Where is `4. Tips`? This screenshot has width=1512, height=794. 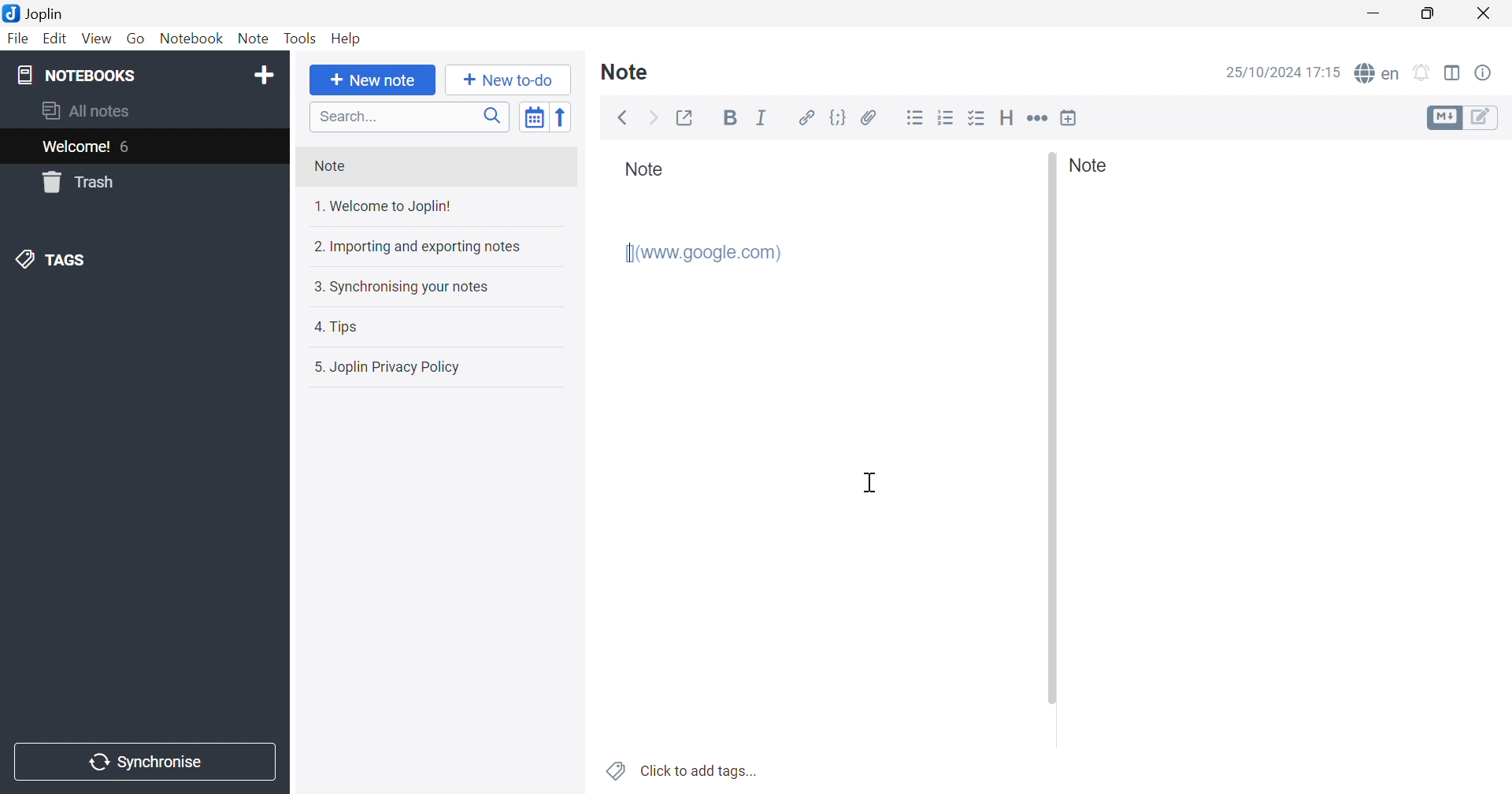
4. Tips is located at coordinates (430, 328).